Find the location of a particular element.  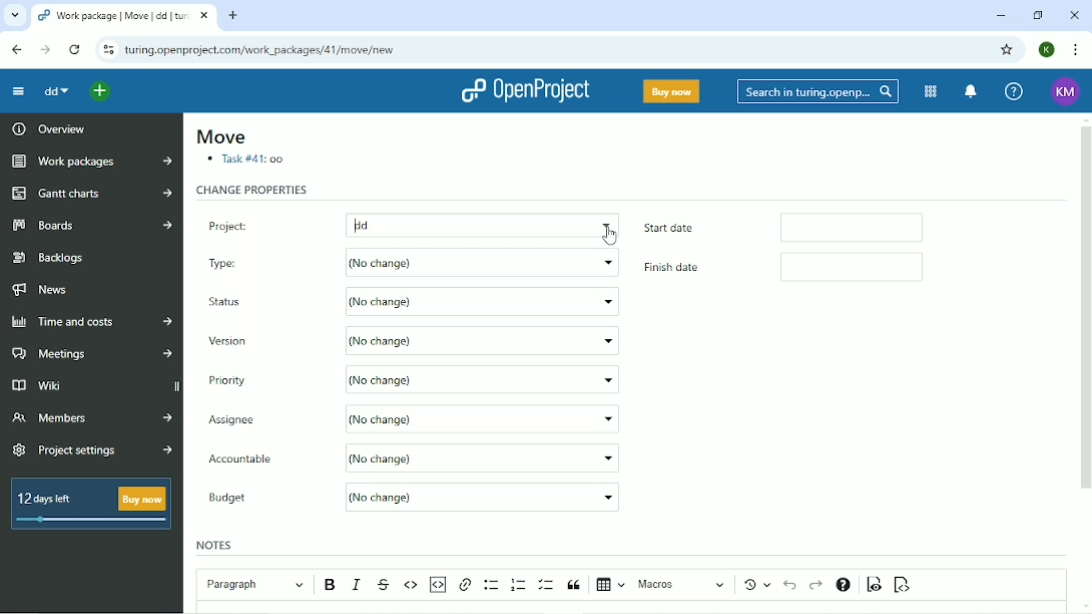

Gantt charts is located at coordinates (92, 194).